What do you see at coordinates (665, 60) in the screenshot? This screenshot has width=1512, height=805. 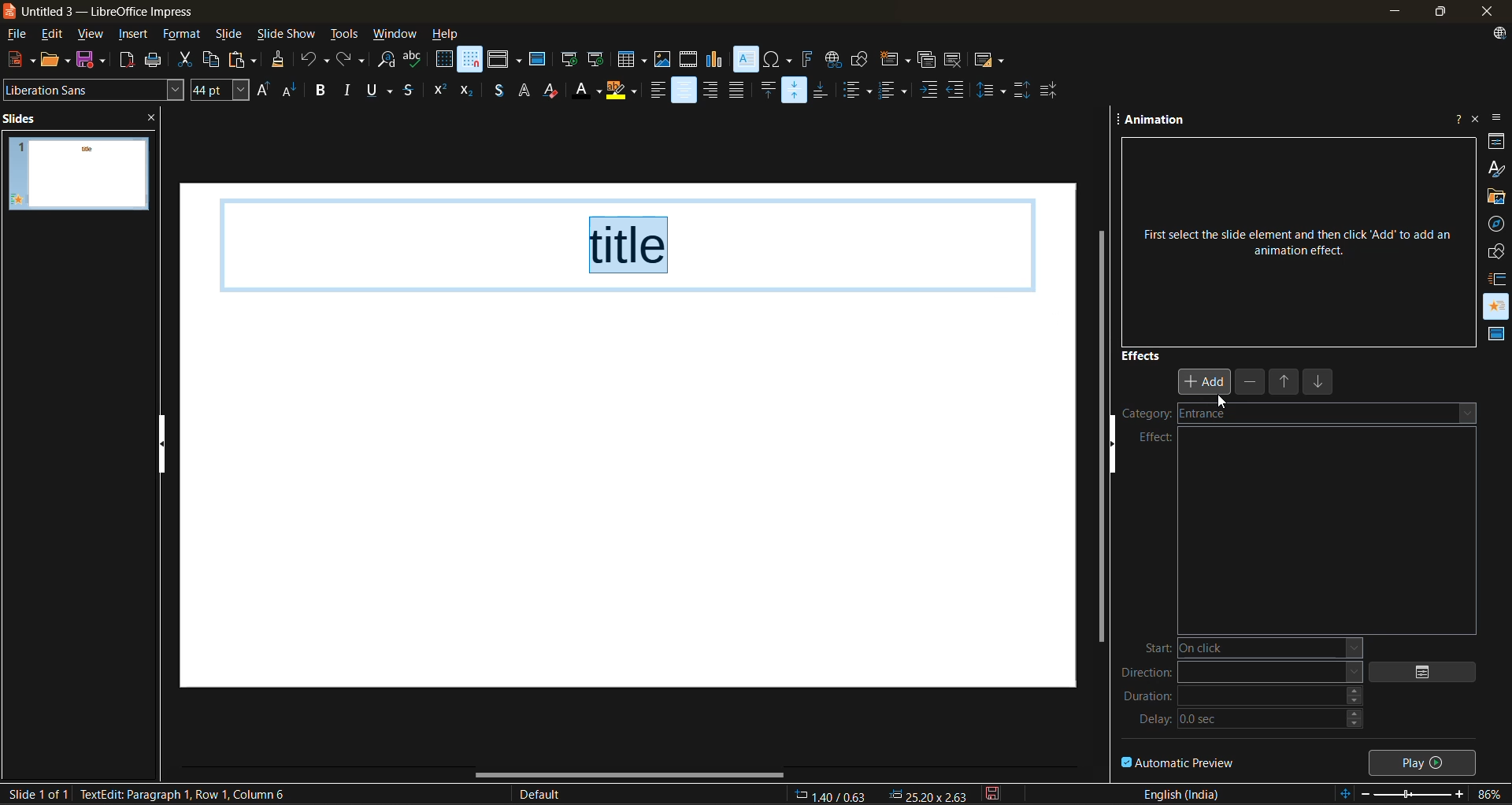 I see `insert image` at bounding box center [665, 60].